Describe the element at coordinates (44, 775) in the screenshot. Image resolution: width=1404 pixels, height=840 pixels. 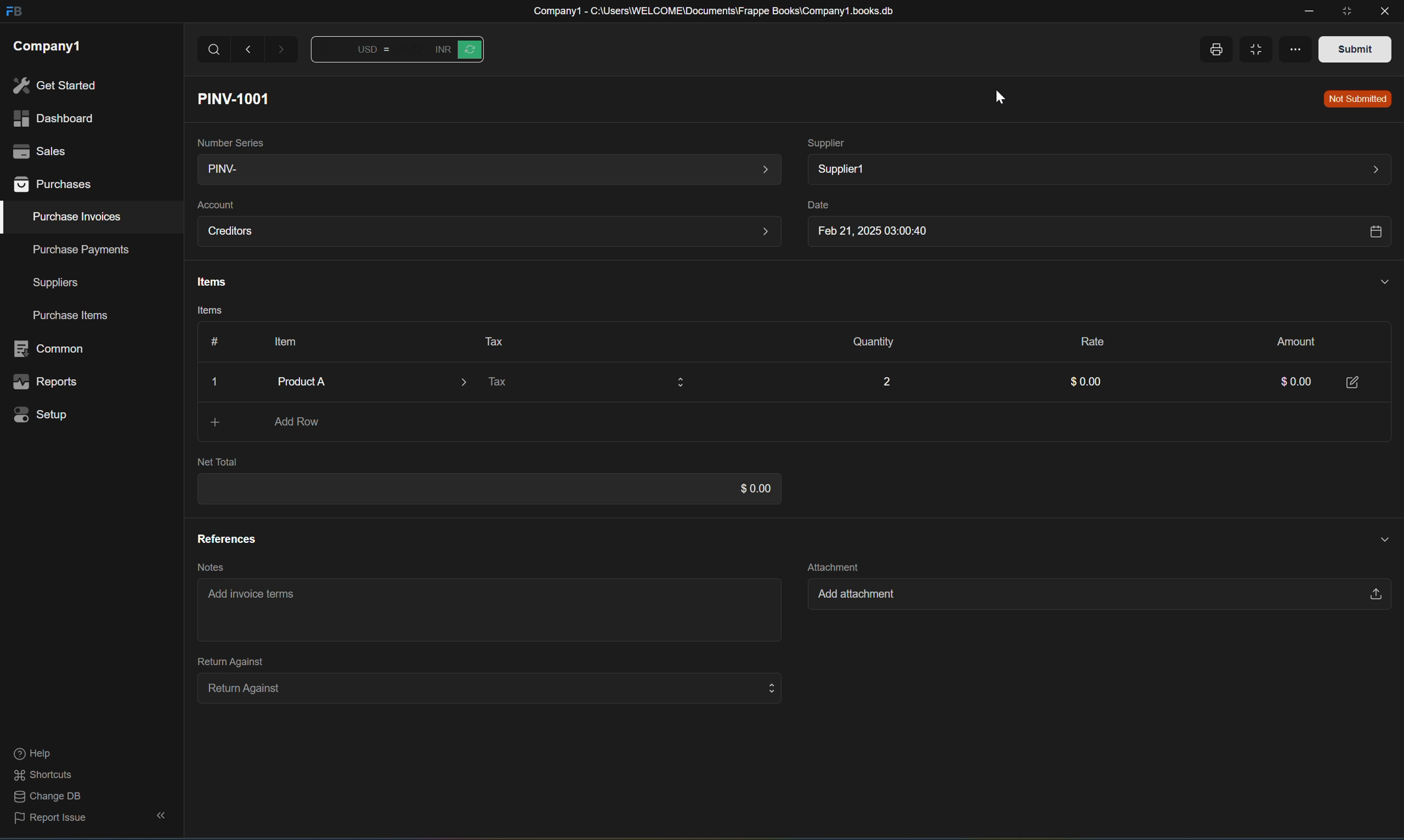
I see `shortcuts` at that location.